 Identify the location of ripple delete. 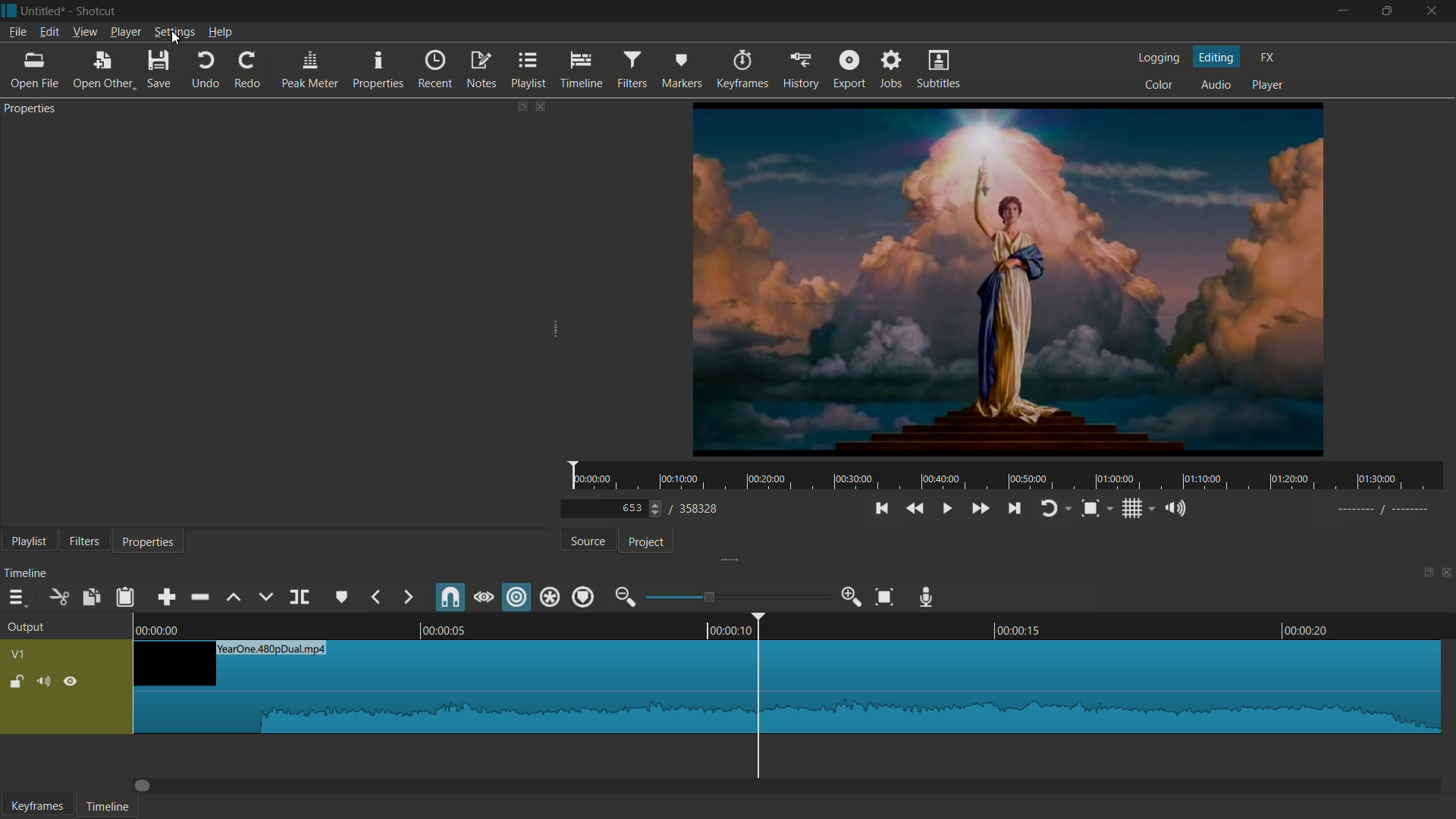
(202, 595).